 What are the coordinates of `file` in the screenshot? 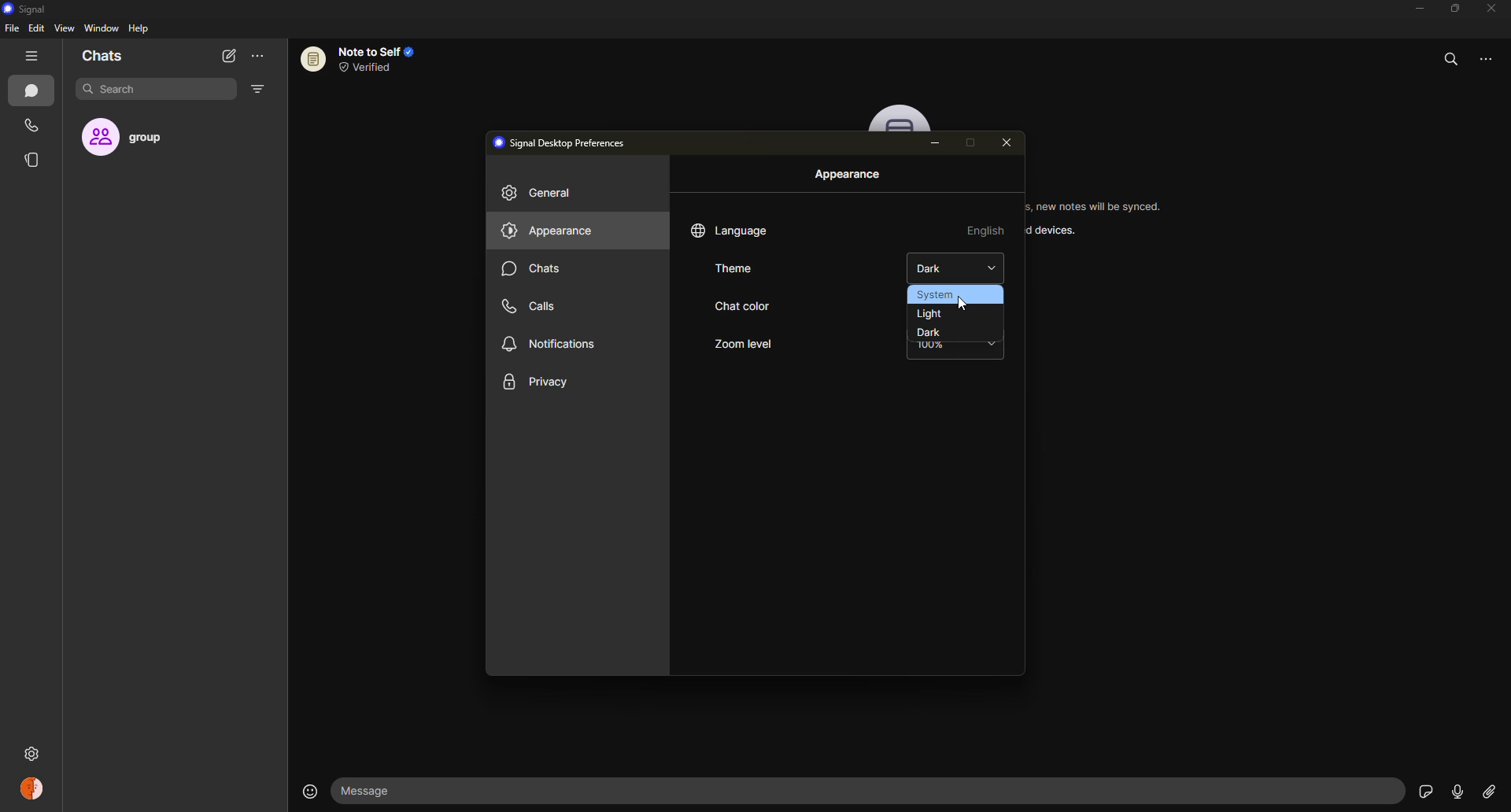 It's located at (11, 29).